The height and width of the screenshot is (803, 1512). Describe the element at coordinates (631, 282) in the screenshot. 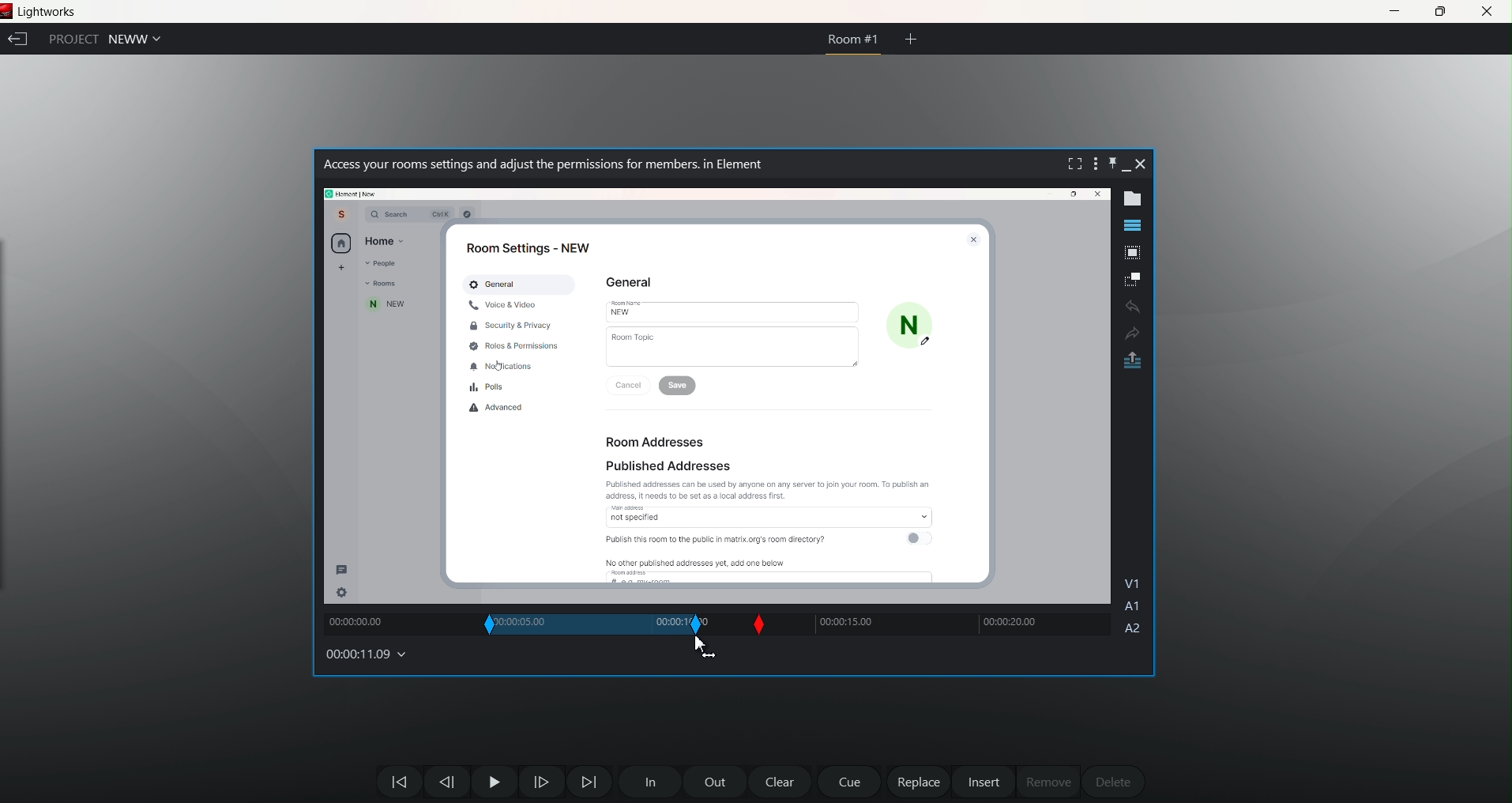

I see `General` at that location.